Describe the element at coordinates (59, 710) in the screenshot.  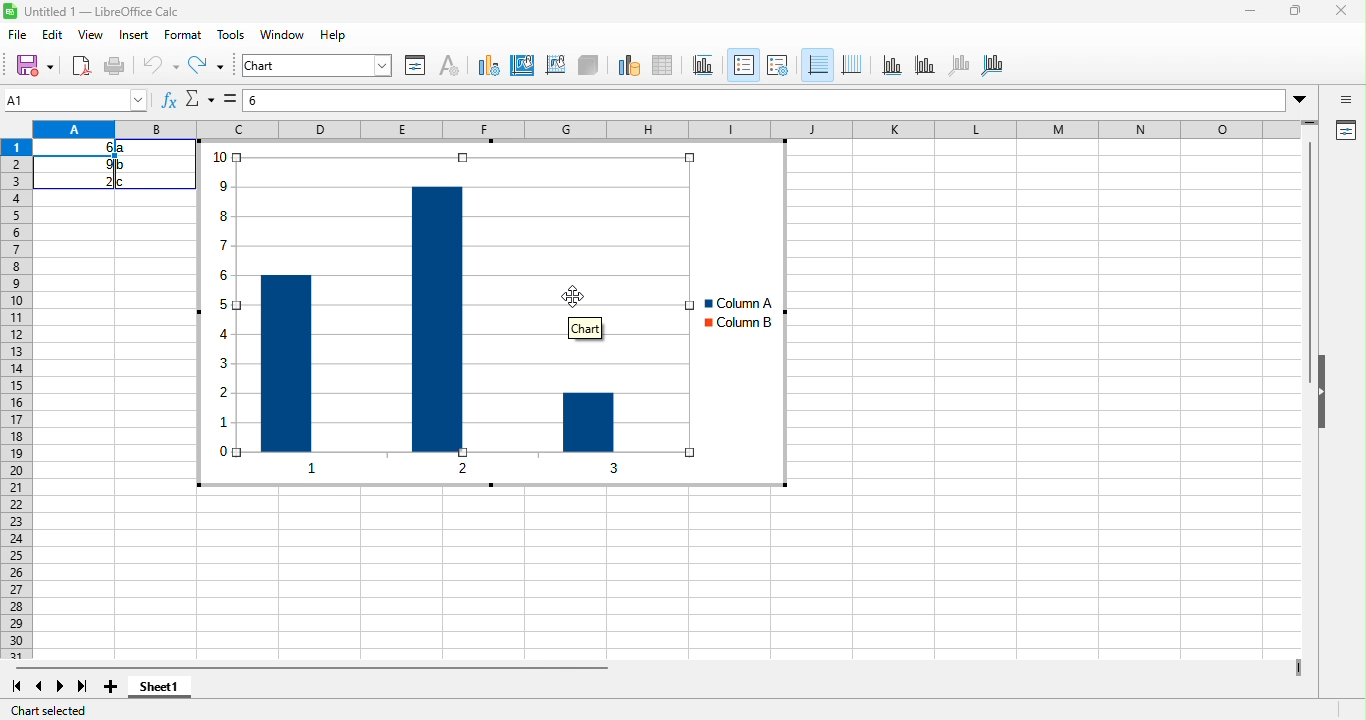
I see `chart selected` at that location.